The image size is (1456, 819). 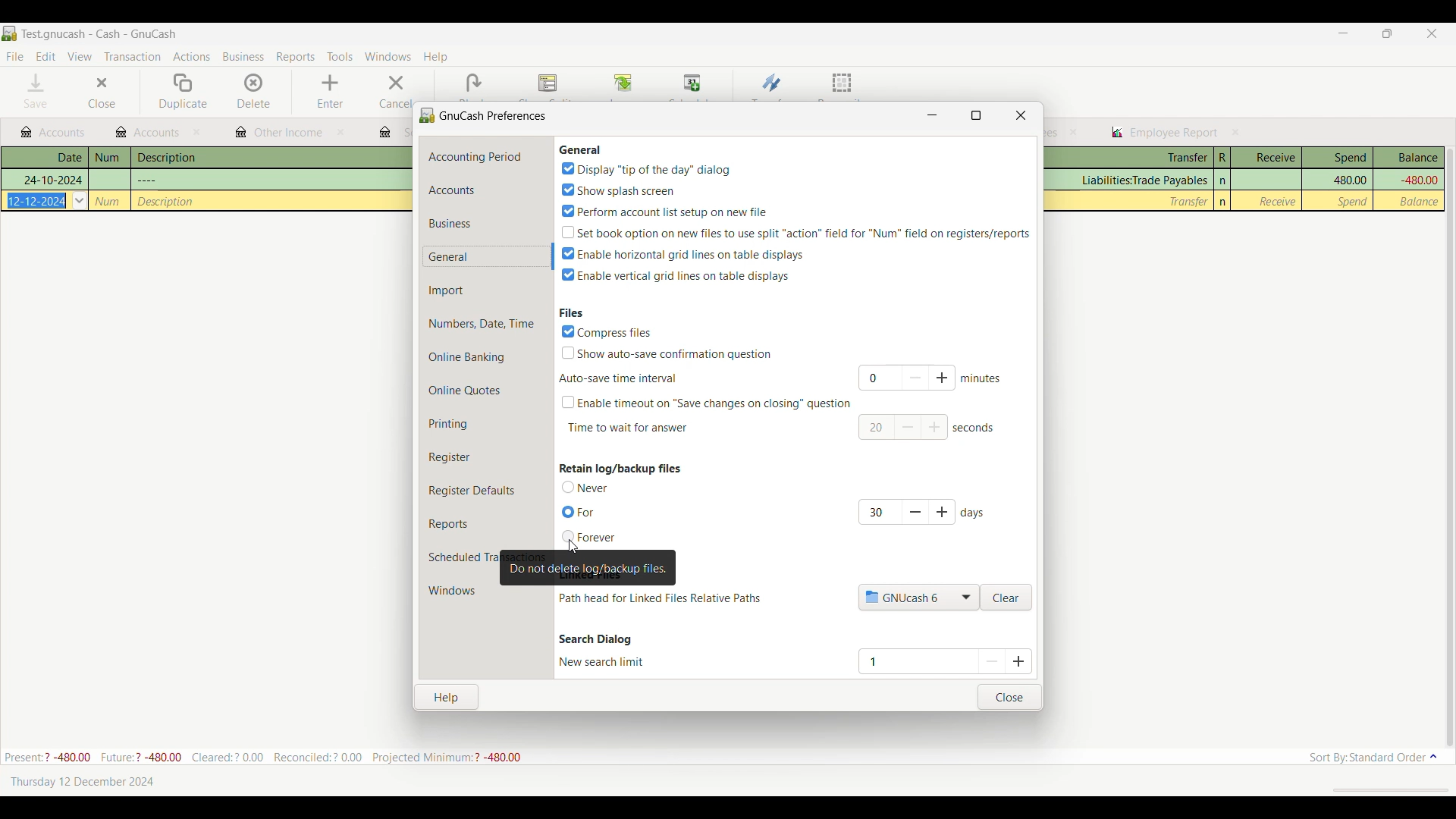 What do you see at coordinates (685, 253) in the screenshot?
I see `enable` at bounding box center [685, 253].